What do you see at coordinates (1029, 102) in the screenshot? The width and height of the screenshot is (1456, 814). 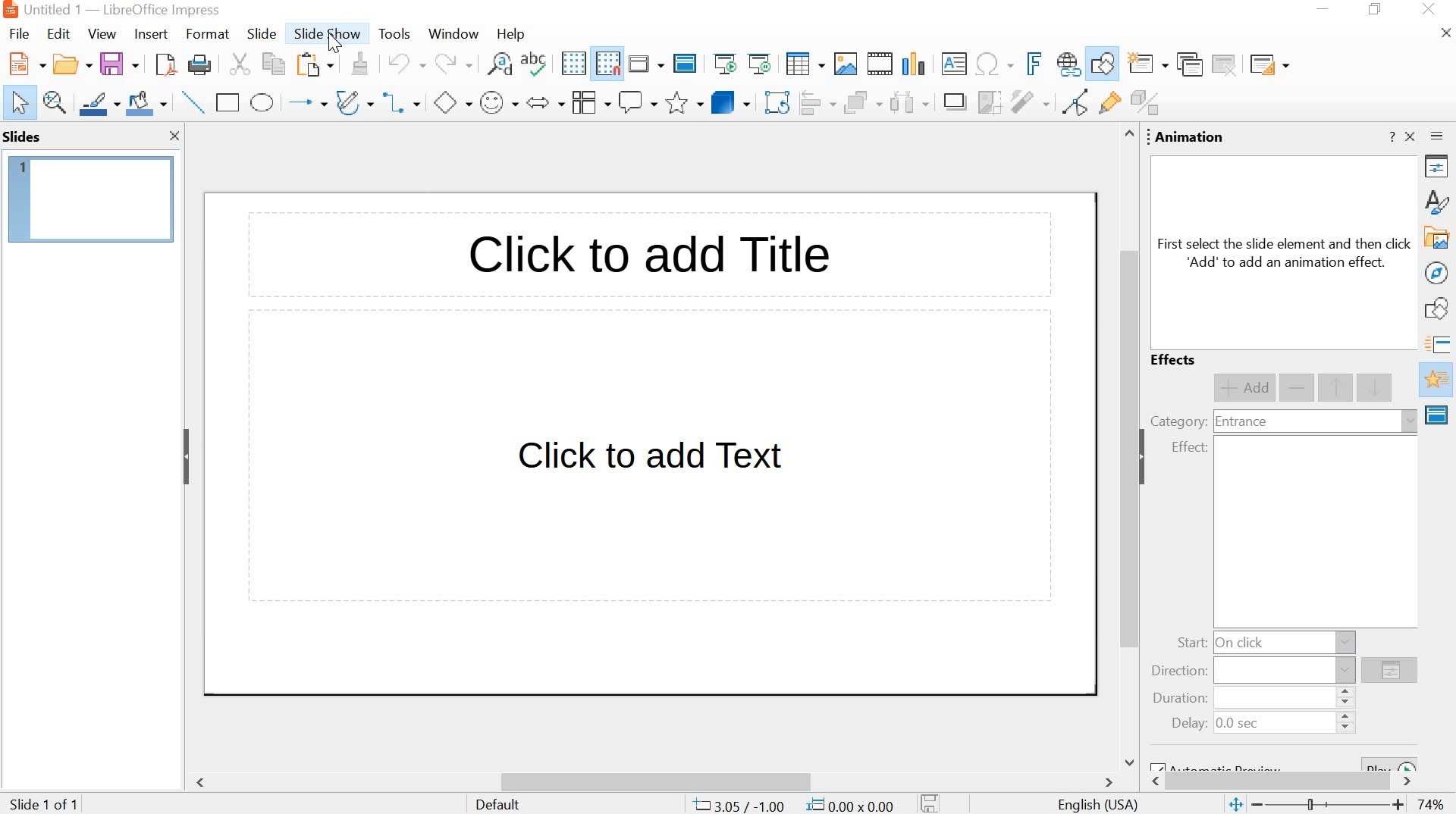 I see `filter` at bounding box center [1029, 102].